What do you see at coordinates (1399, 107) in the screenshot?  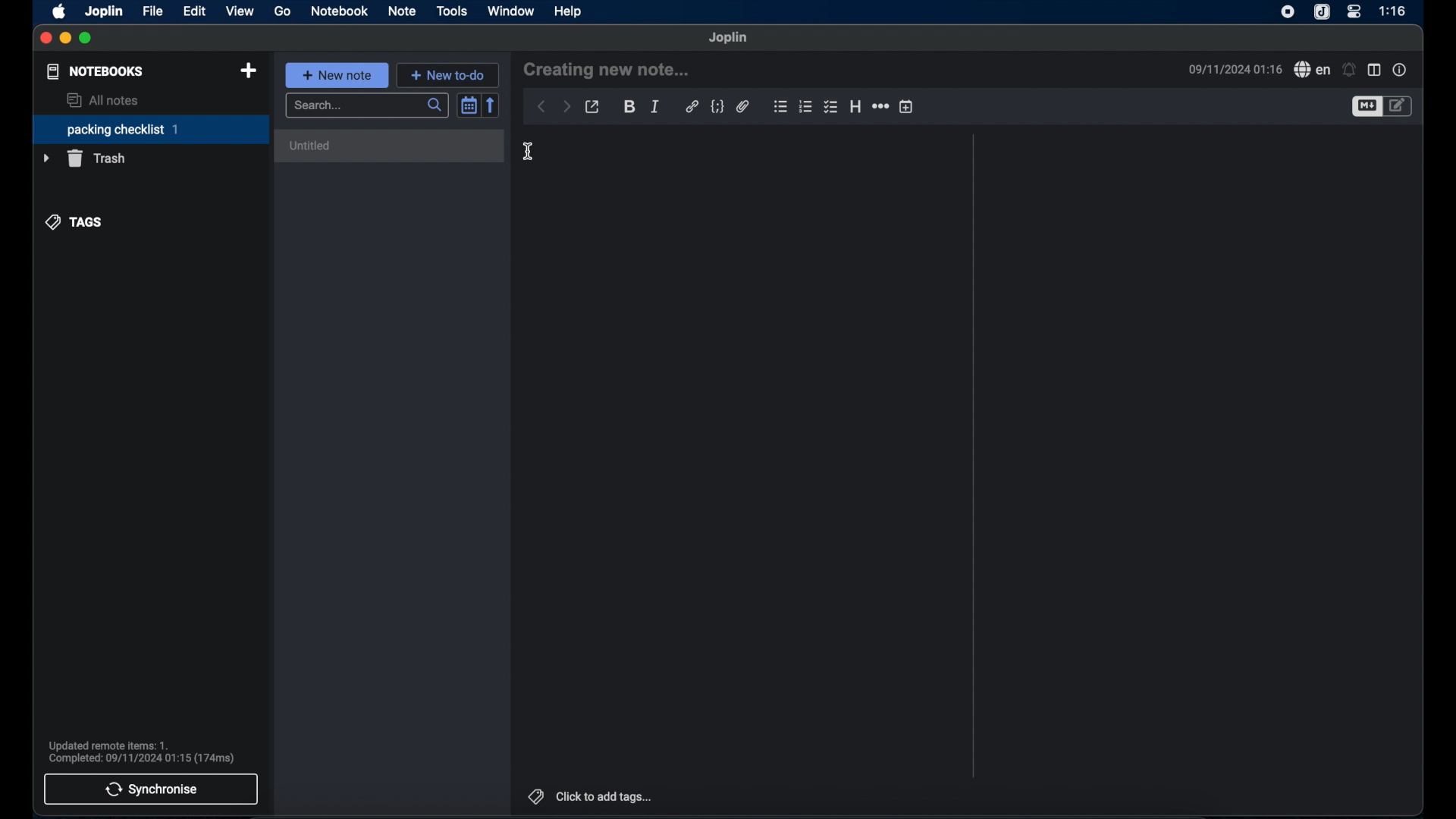 I see `toggle edito` at bounding box center [1399, 107].